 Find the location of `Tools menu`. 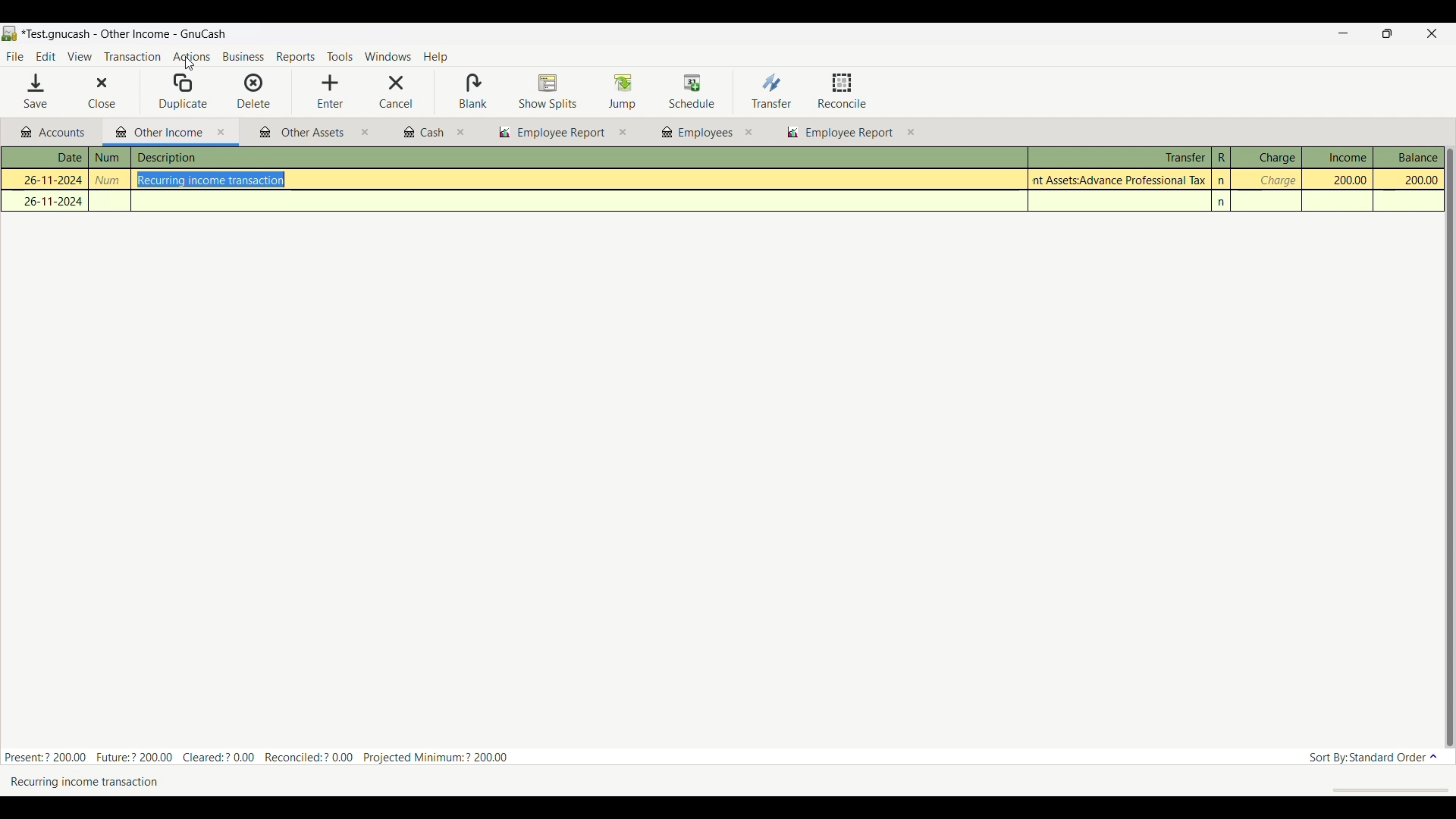

Tools menu is located at coordinates (340, 58).